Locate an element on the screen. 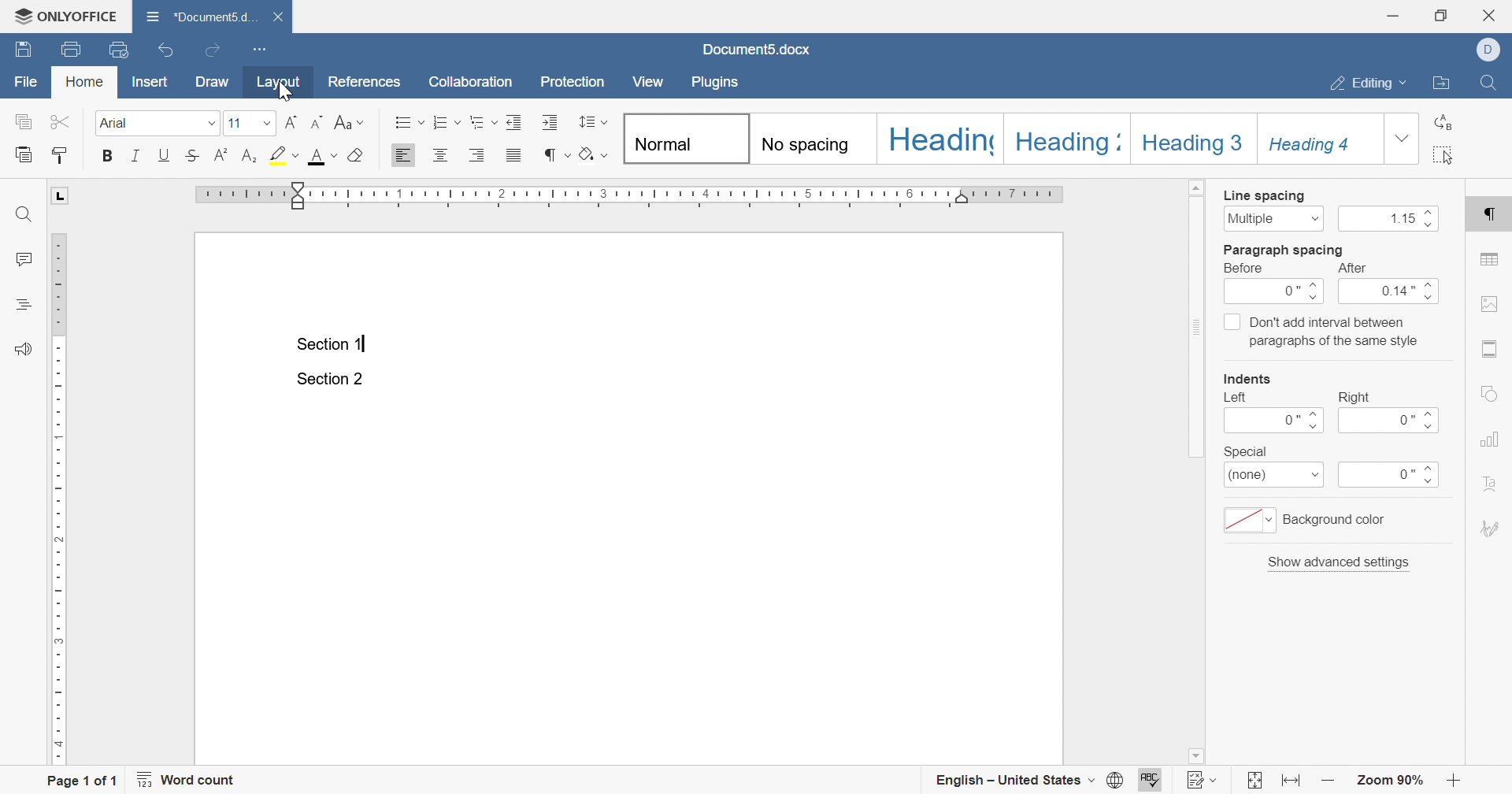 This screenshot has width=1512, height=794. quick print is located at coordinates (121, 49).